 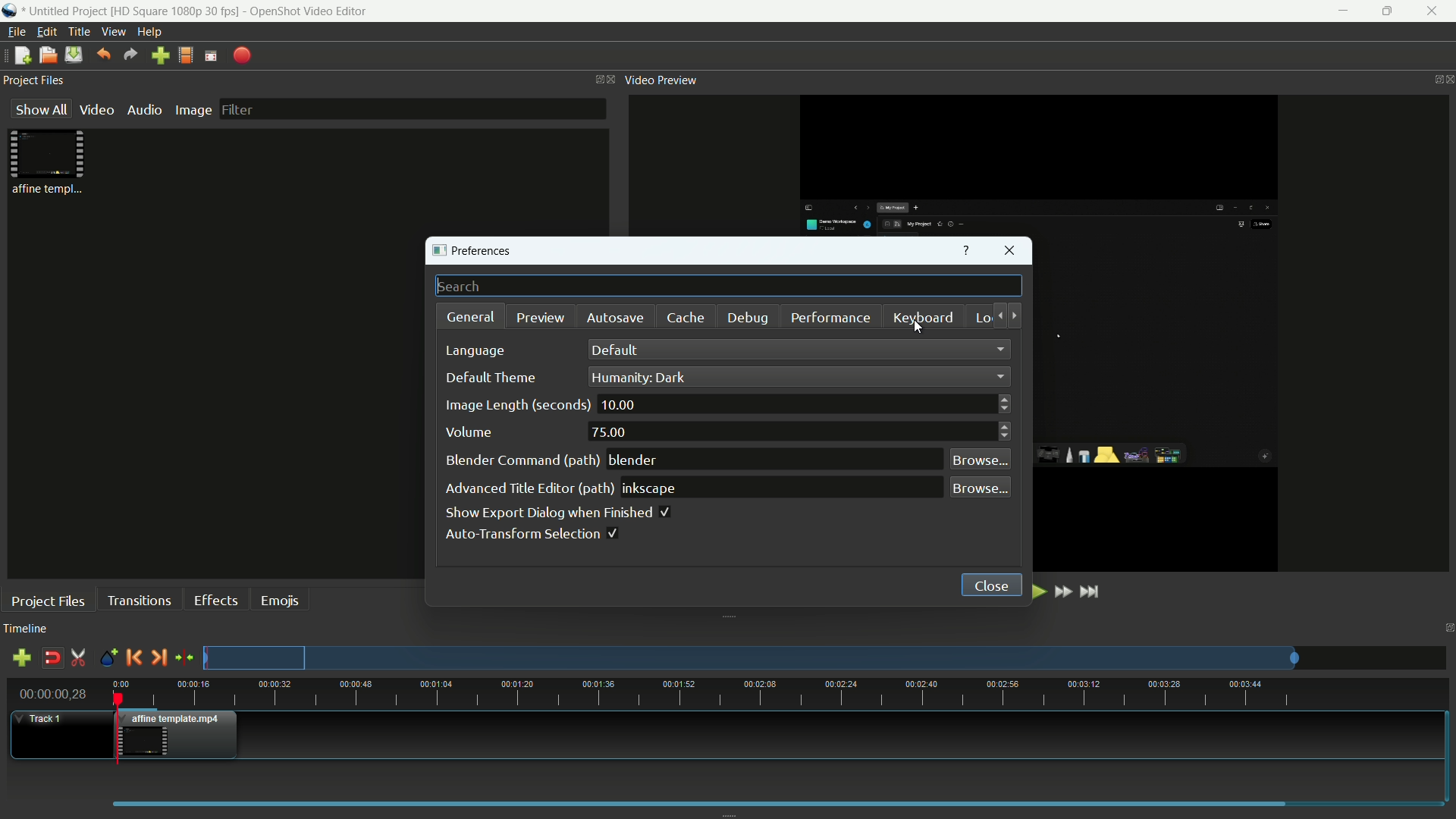 What do you see at coordinates (105, 658) in the screenshot?
I see `create marker` at bounding box center [105, 658].